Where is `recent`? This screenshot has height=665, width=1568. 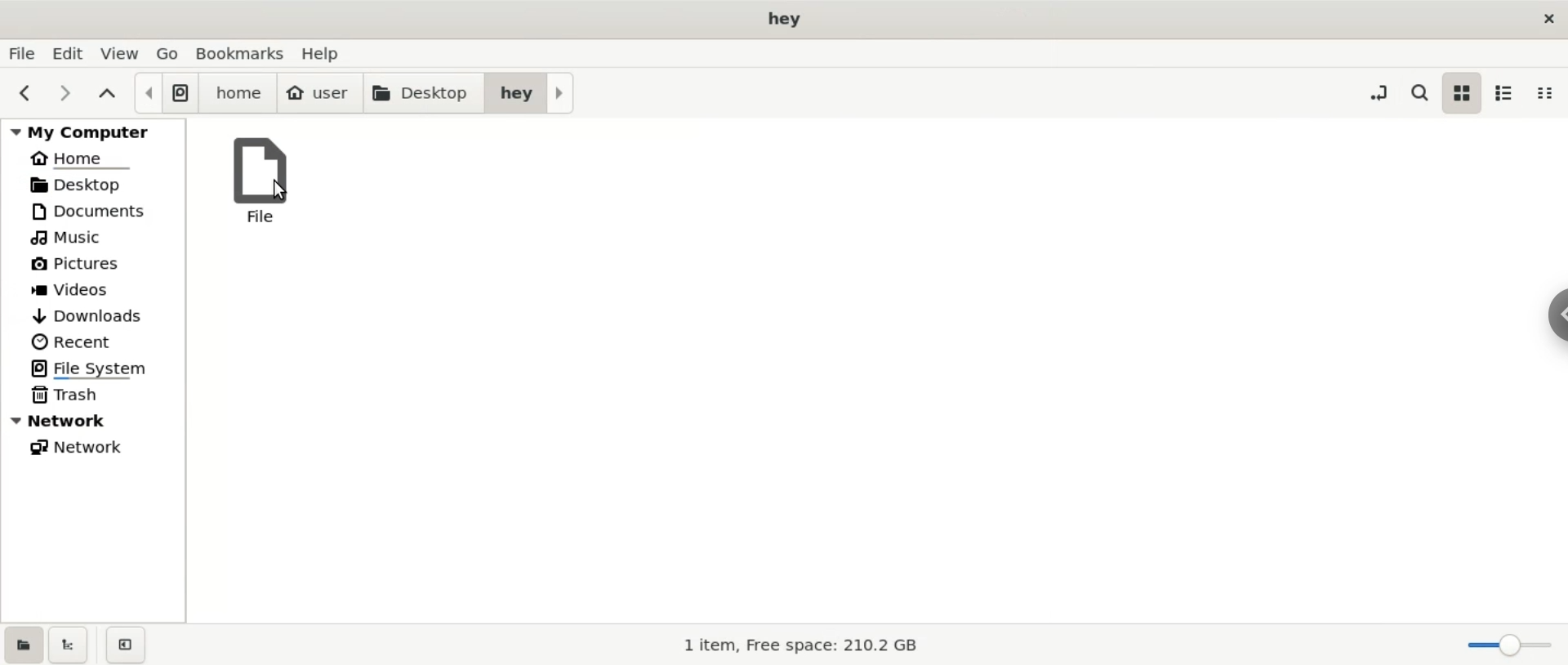
recent is located at coordinates (94, 343).